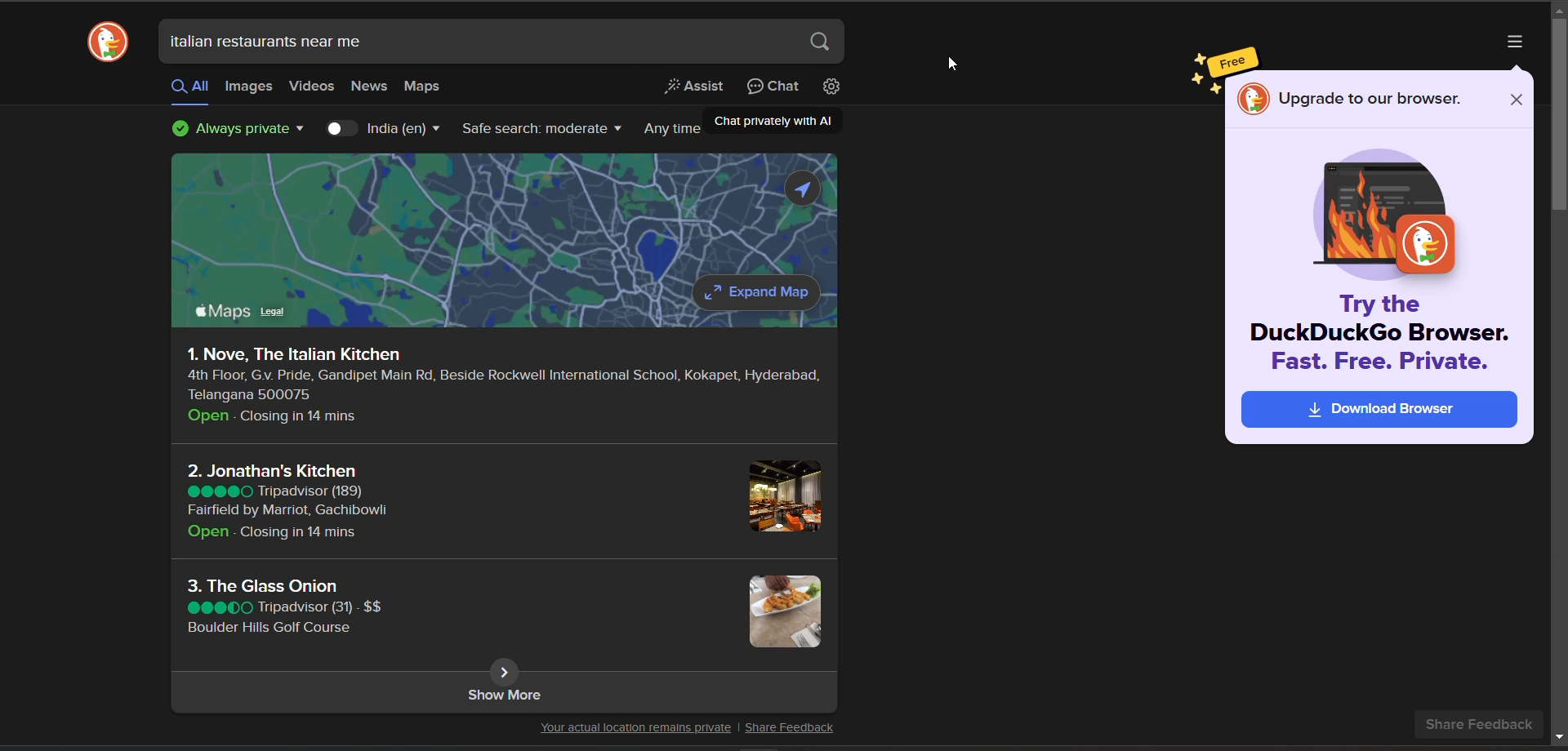 The image size is (1568, 751). Describe the element at coordinates (403, 129) in the screenshot. I see `country options` at that location.